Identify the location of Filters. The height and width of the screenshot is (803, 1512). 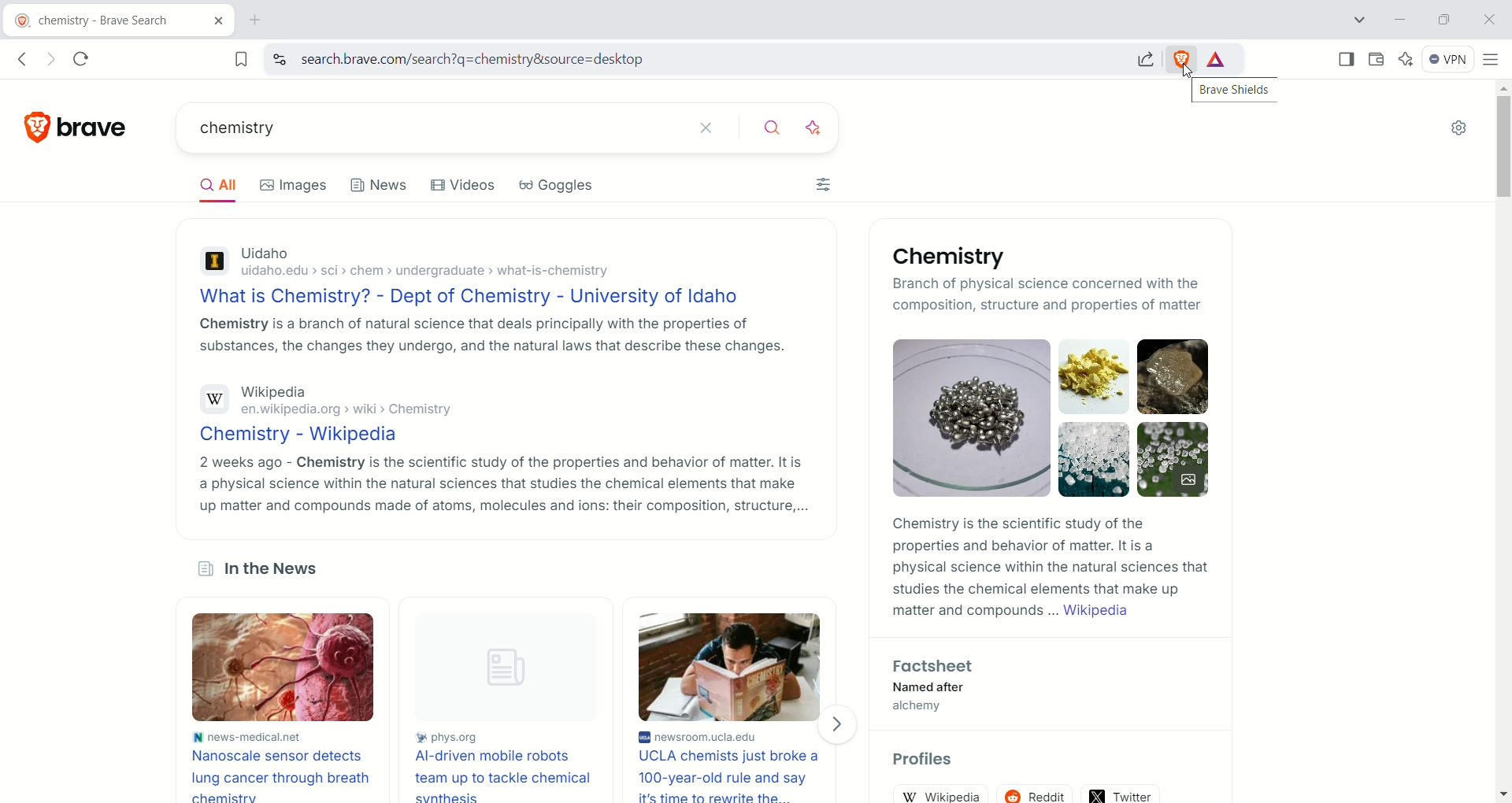
(828, 182).